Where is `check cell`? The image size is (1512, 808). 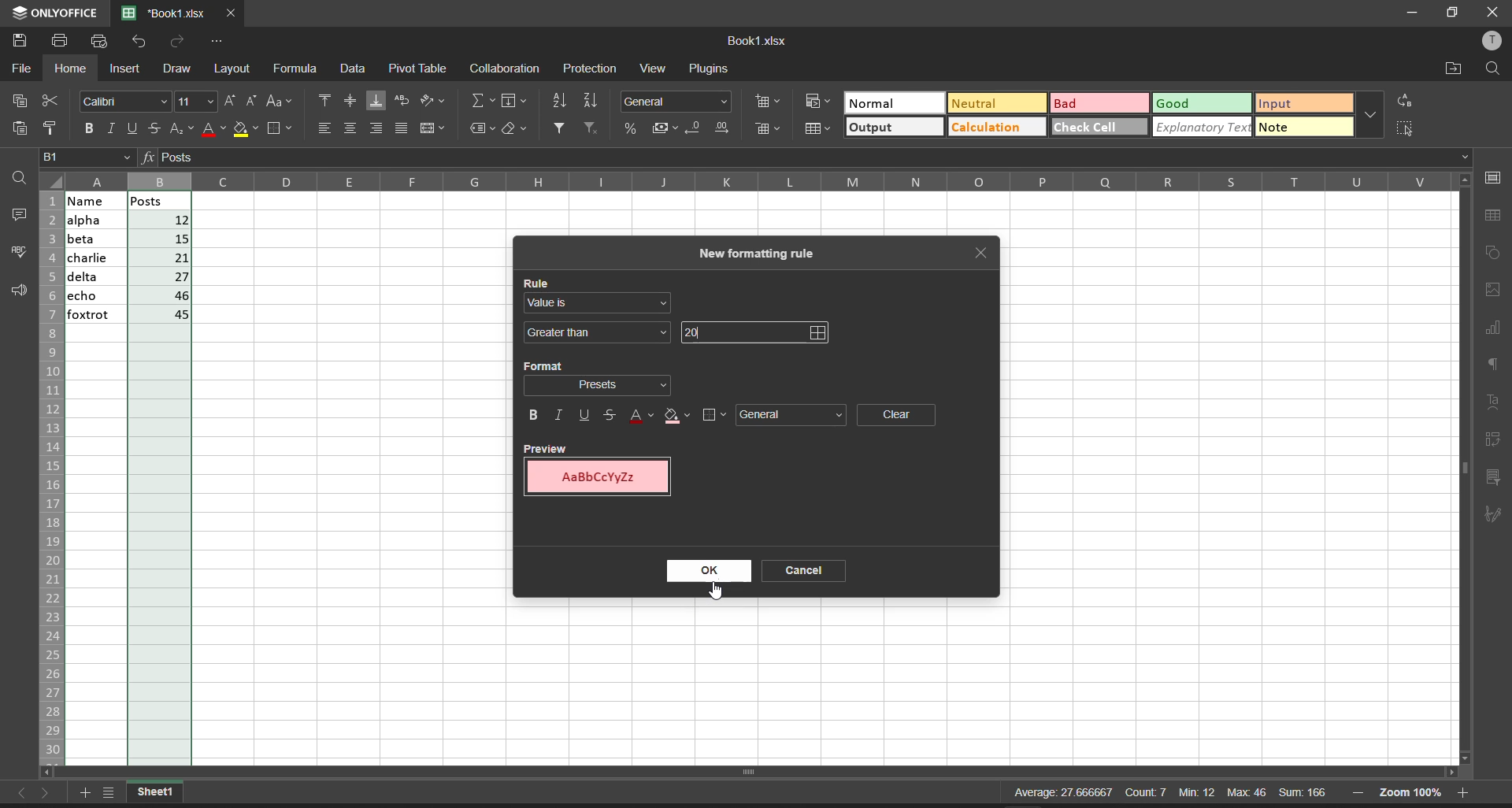
check cell is located at coordinates (1091, 129).